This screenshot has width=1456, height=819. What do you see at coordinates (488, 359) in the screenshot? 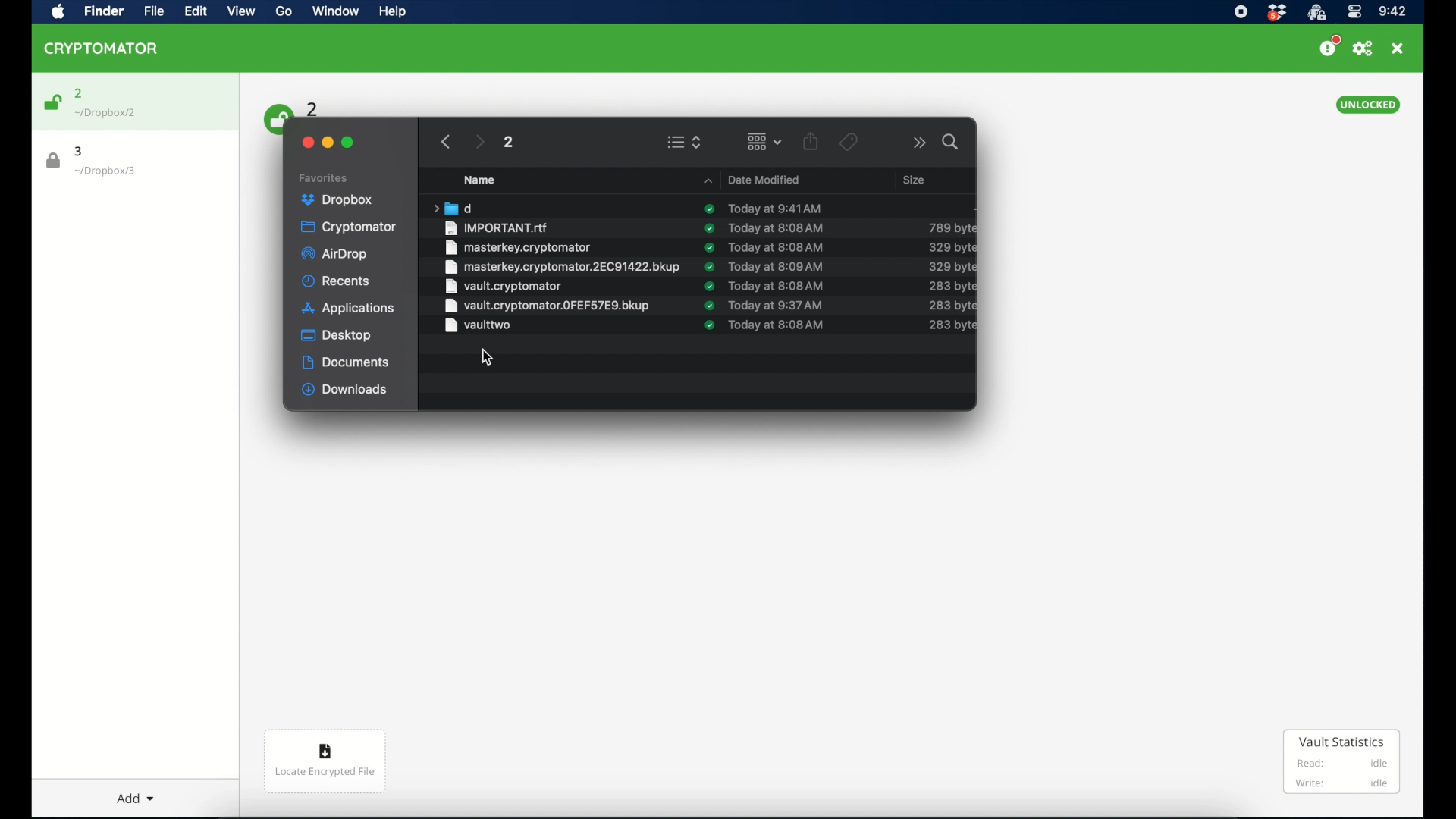
I see `cursor` at bounding box center [488, 359].